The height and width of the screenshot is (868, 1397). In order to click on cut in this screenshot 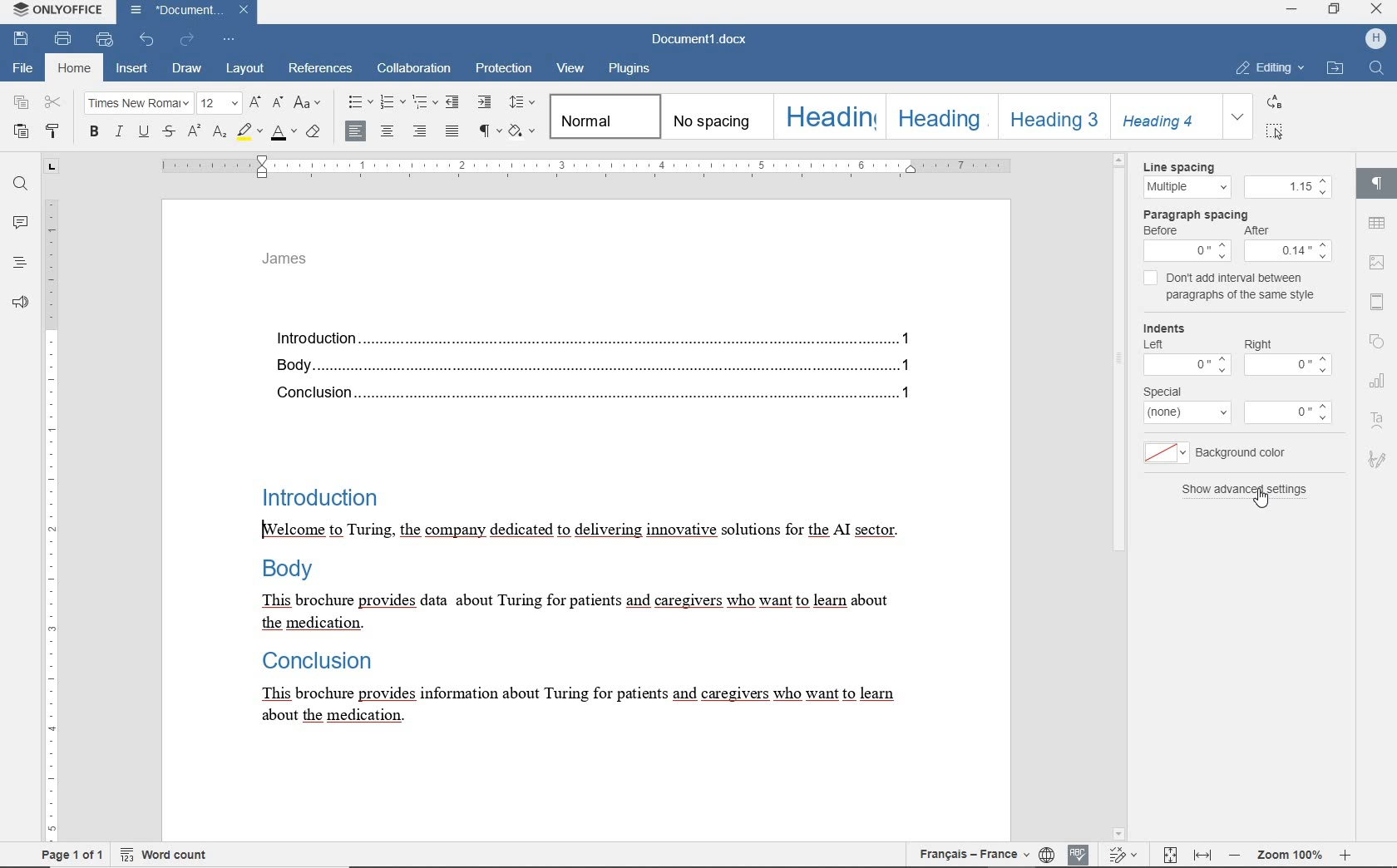, I will do `click(54, 103)`.